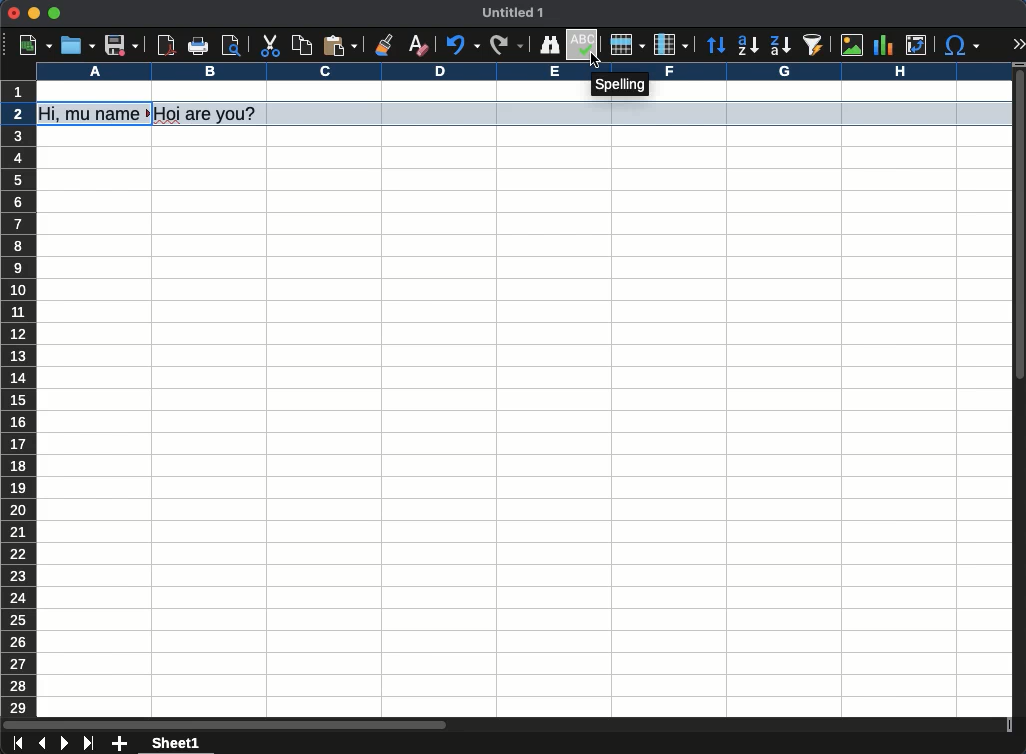 The image size is (1026, 754). What do you see at coordinates (65, 743) in the screenshot?
I see `next sheet` at bounding box center [65, 743].